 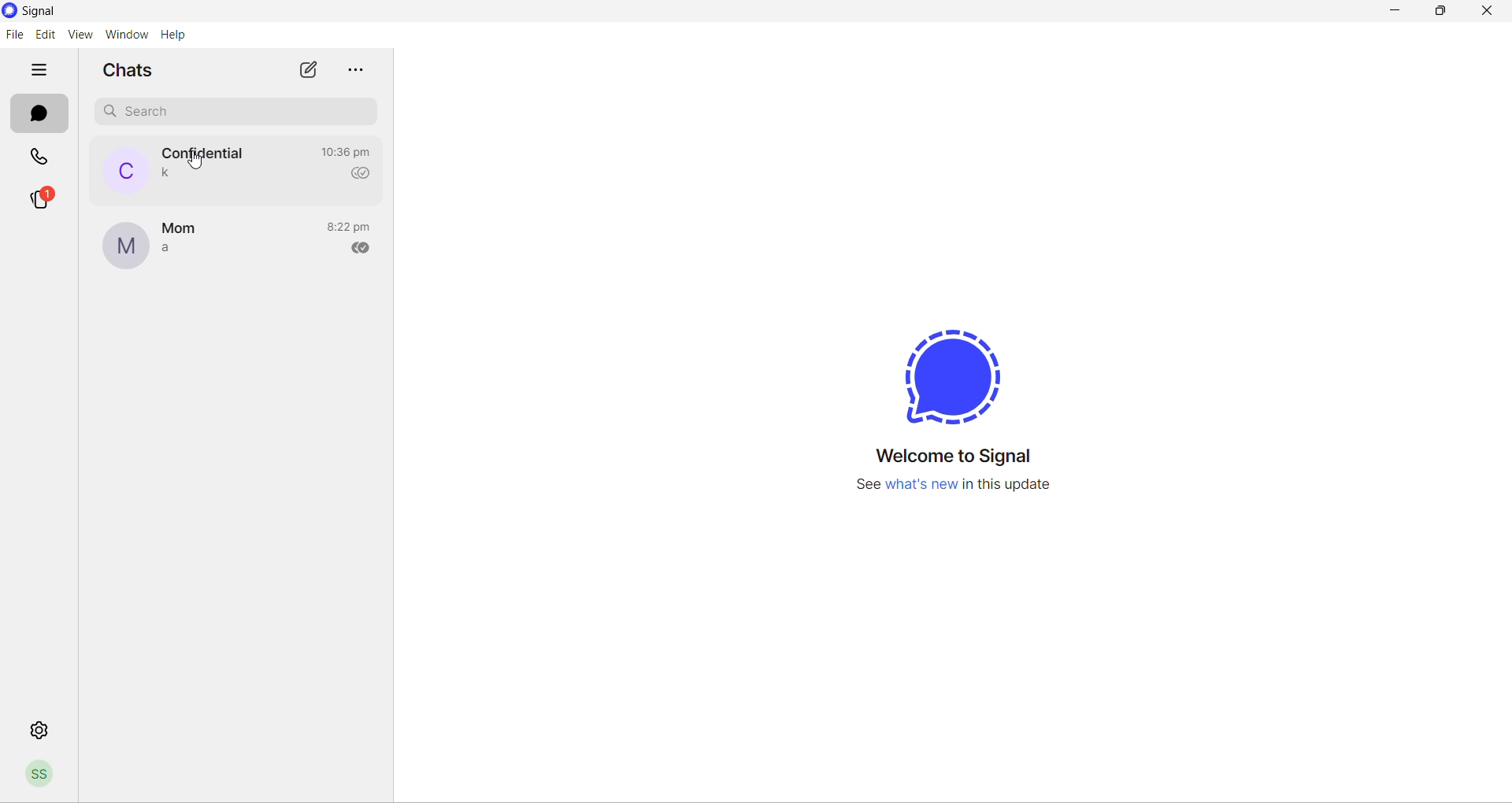 What do you see at coordinates (44, 160) in the screenshot?
I see `calls` at bounding box center [44, 160].